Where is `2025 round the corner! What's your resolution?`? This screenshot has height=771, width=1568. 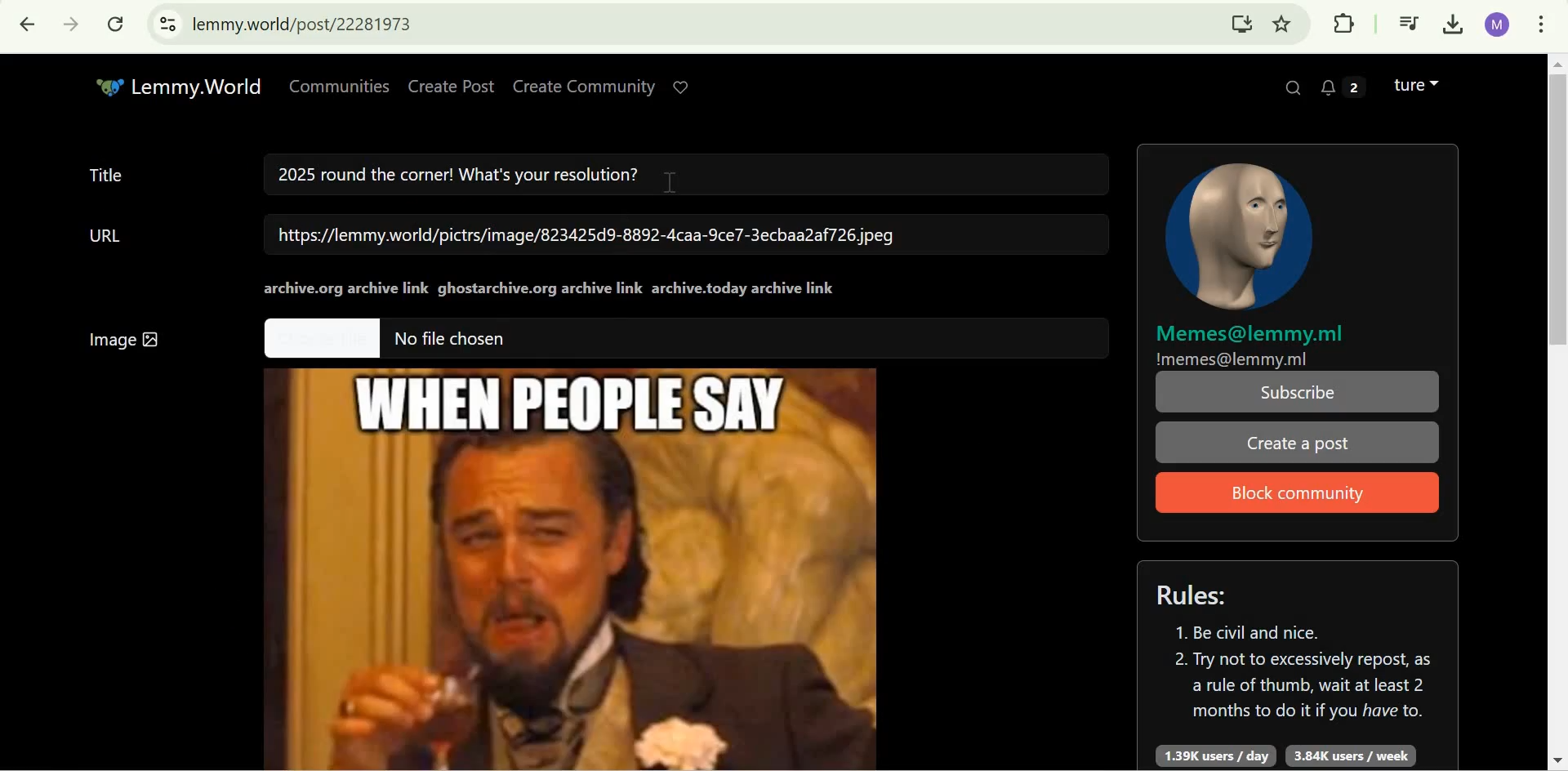 2025 round the corner! What's your resolution? is located at coordinates (460, 177).